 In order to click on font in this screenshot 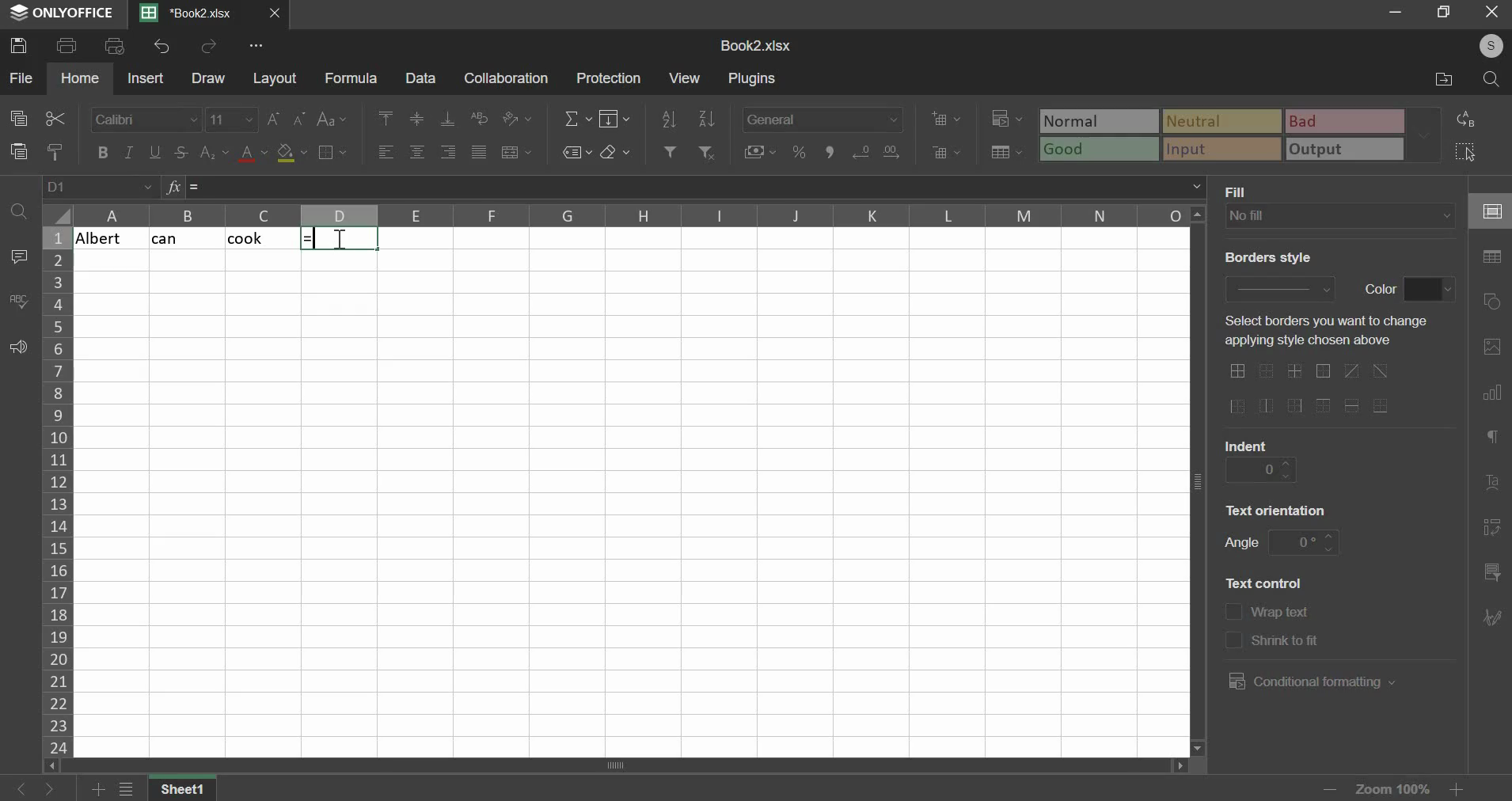, I will do `click(145, 120)`.